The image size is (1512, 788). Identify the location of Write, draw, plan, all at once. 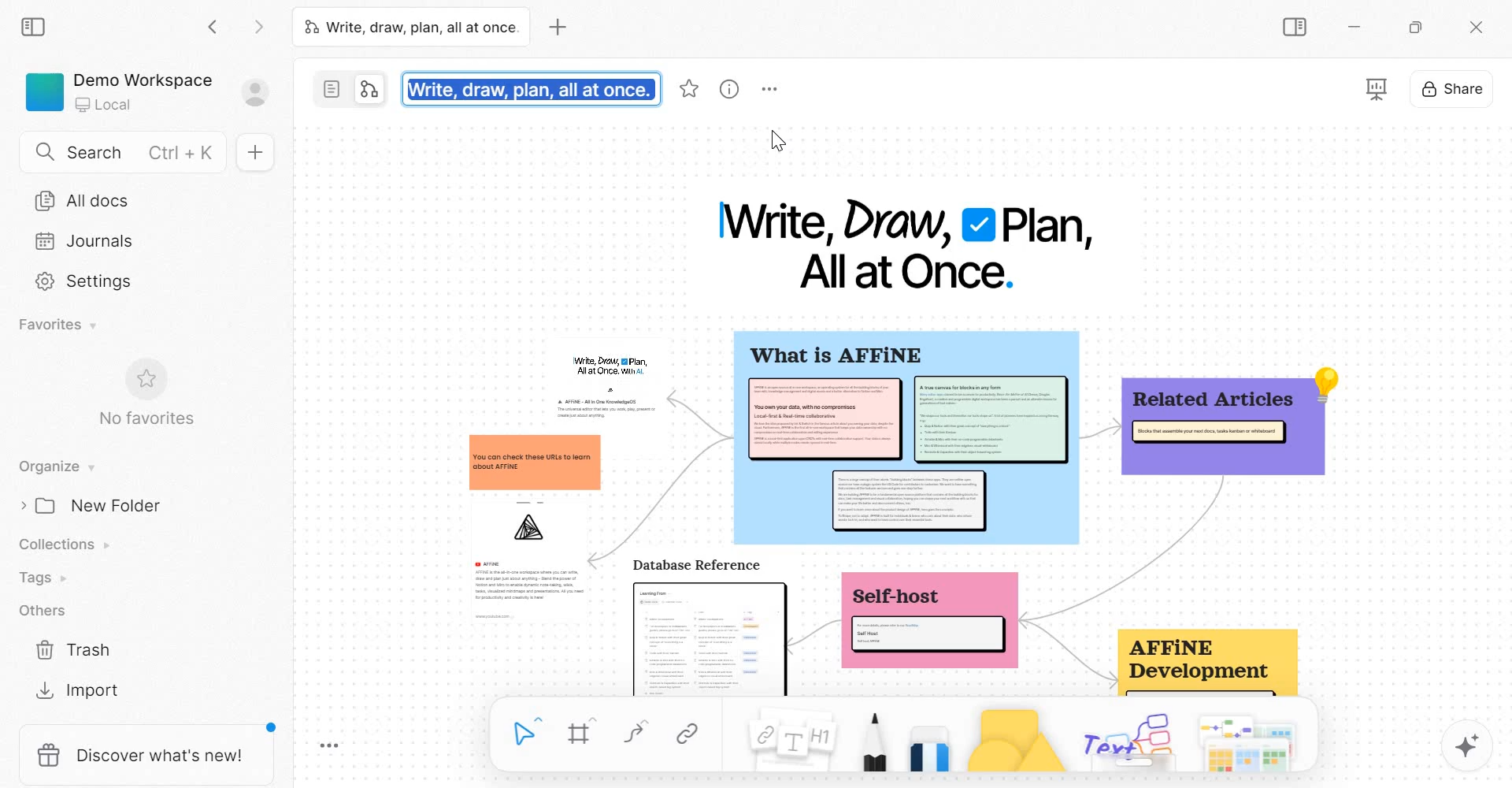
(410, 28).